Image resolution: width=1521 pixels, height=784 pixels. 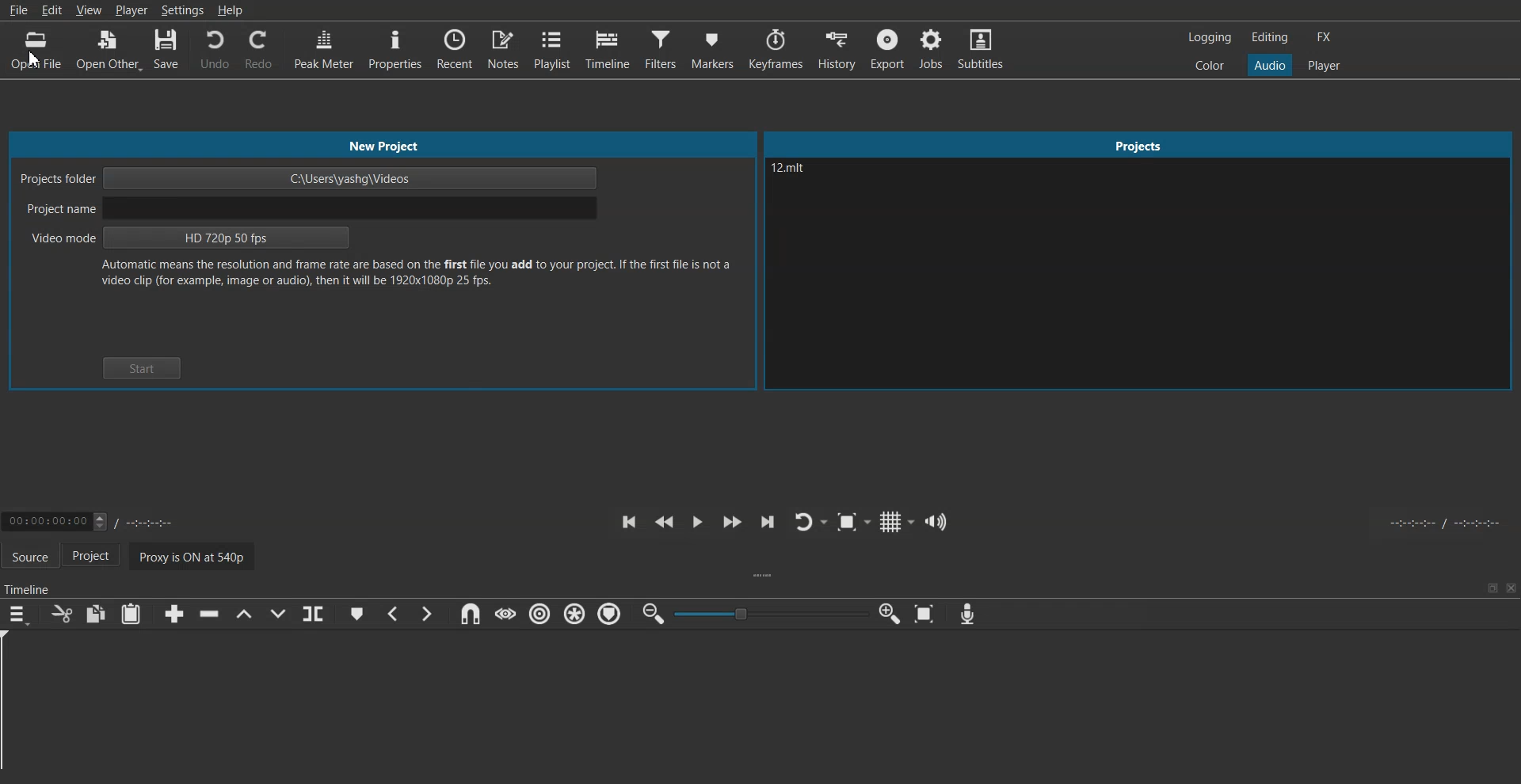 What do you see at coordinates (392, 614) in the screenshot?
I see `Previous marker` at bounding box center [392, 614].